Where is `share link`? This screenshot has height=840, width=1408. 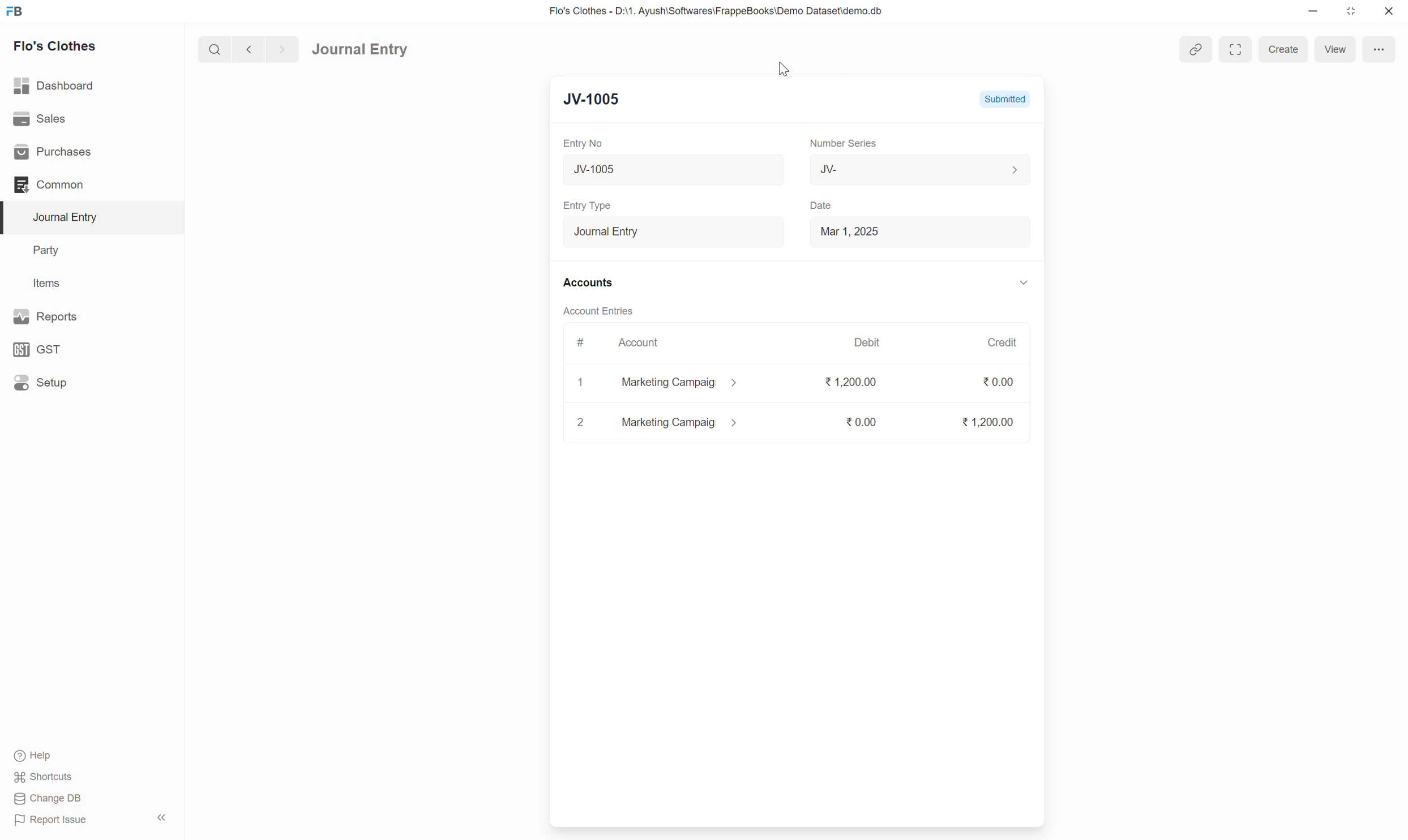
share link is located at coordinates (1196, 50).